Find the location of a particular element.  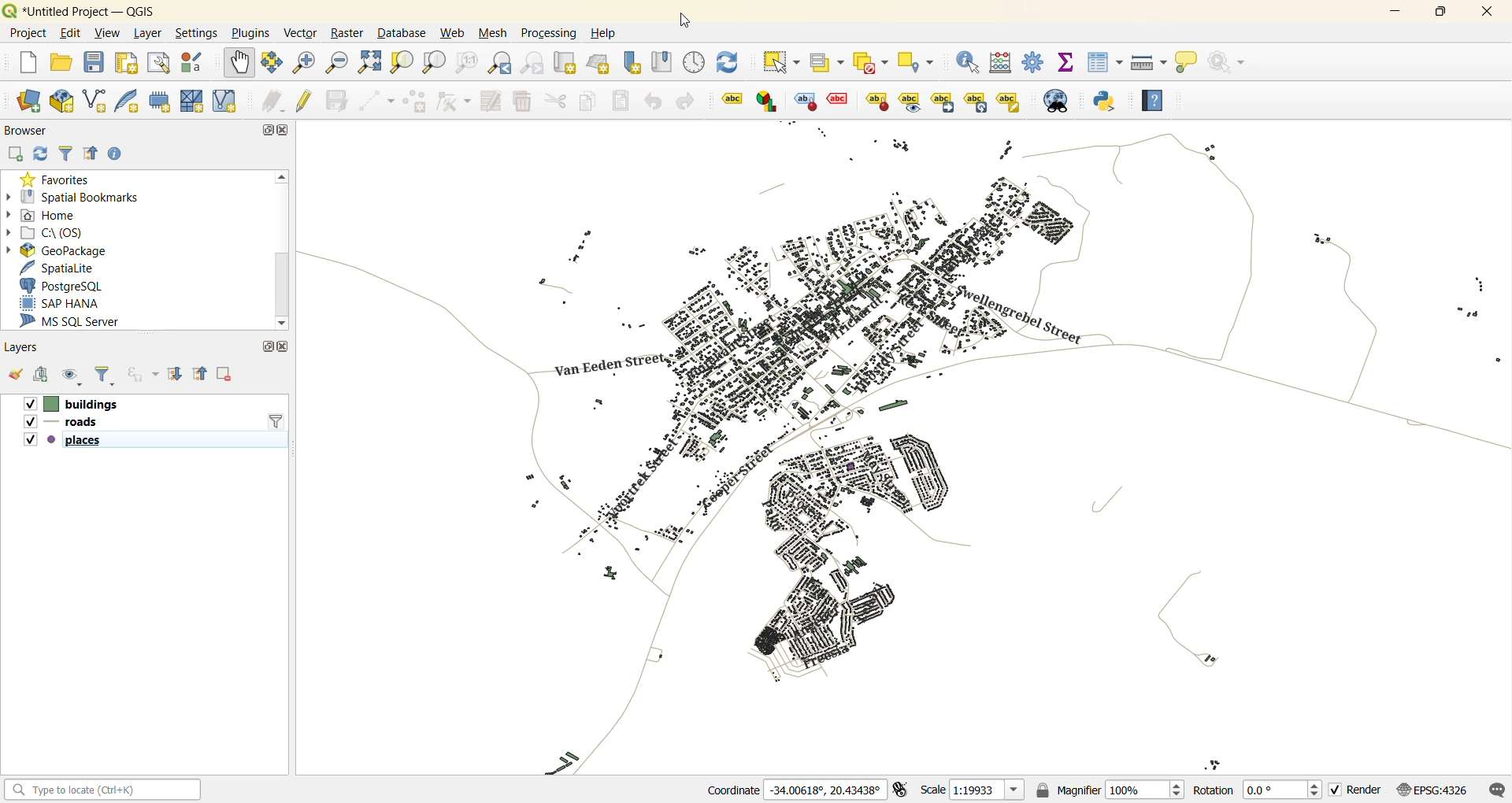

add is located at coordinates (14, 155).